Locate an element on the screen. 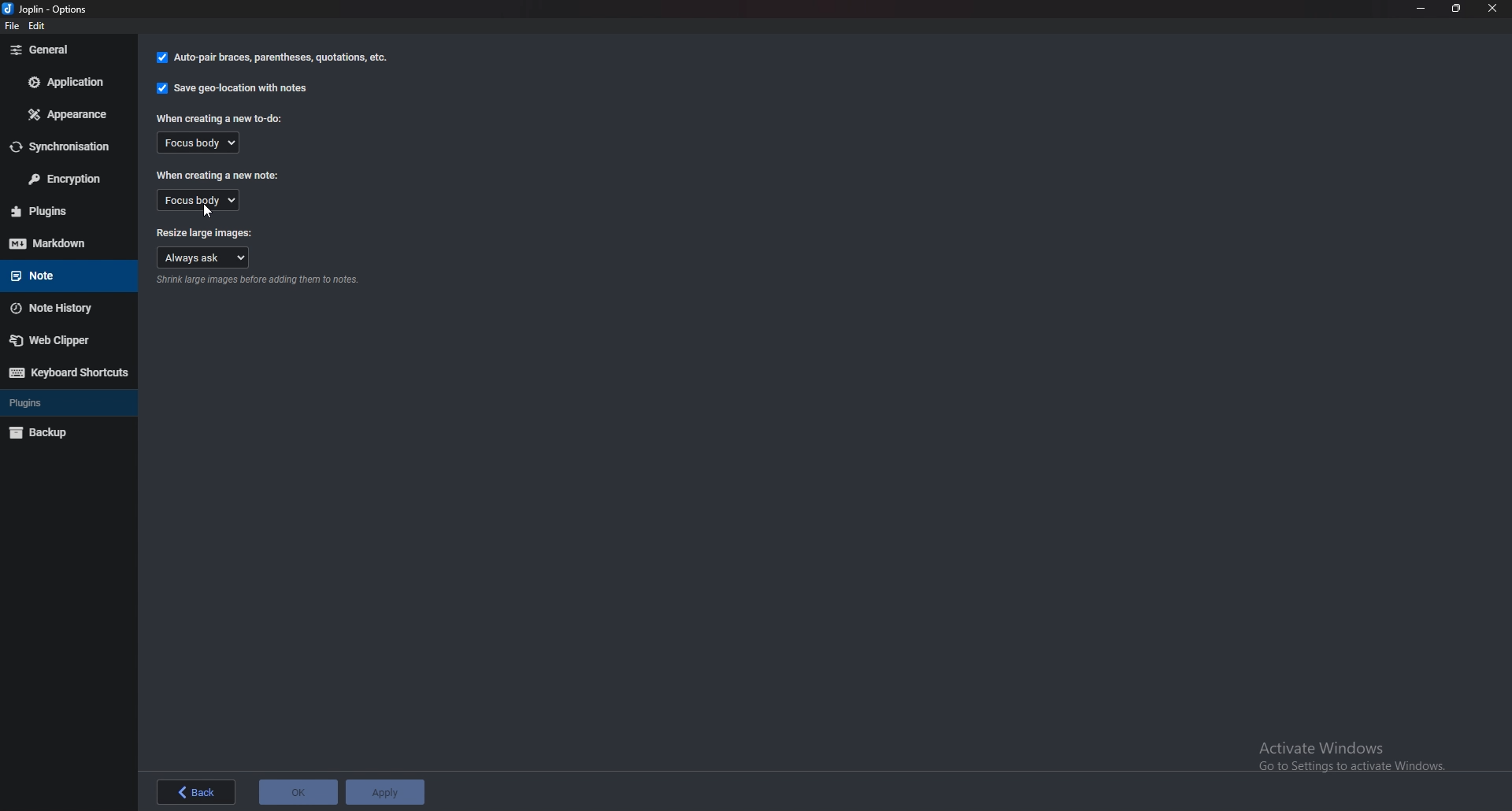 This screenshot has width=1512, height=811. Plugins is located at coordinates (56, 403).